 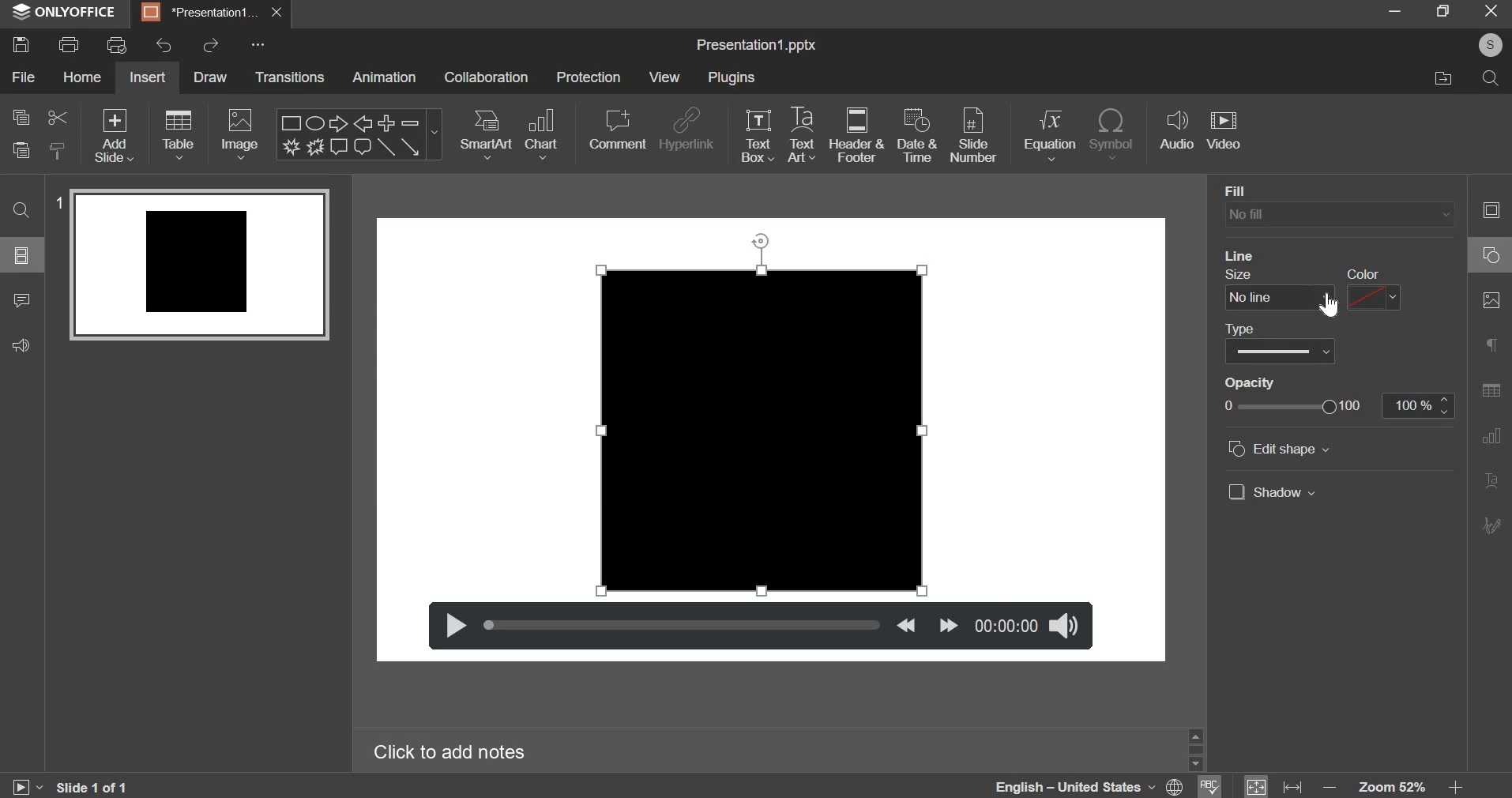 What do you see at coordinates (487, 134) in the screenshot?
I see `smartart` at bounding box center [487, 134].